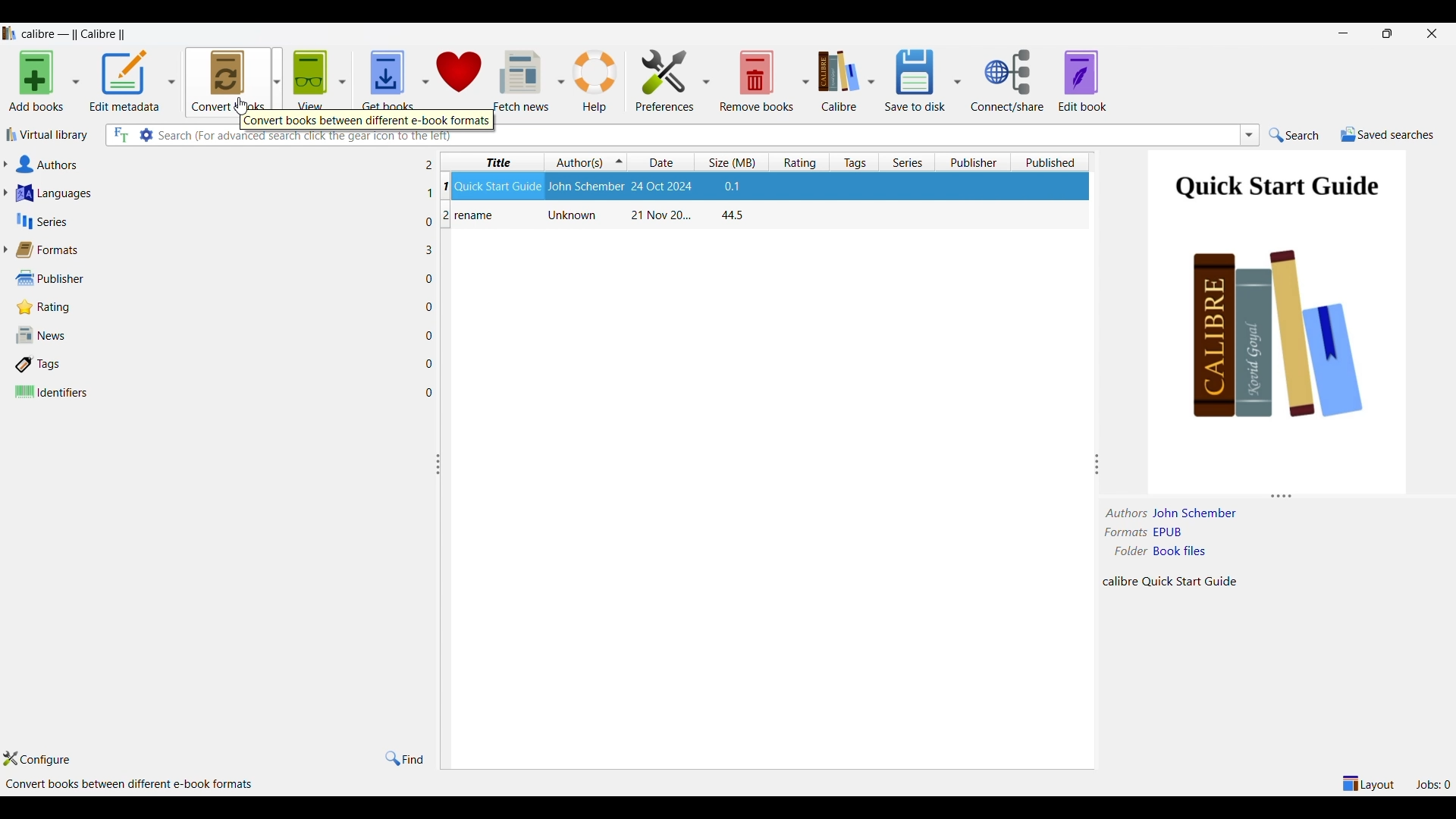  Describe the element at coordinates (1198, 513) in the screenshot. I see `Author name` at that location.